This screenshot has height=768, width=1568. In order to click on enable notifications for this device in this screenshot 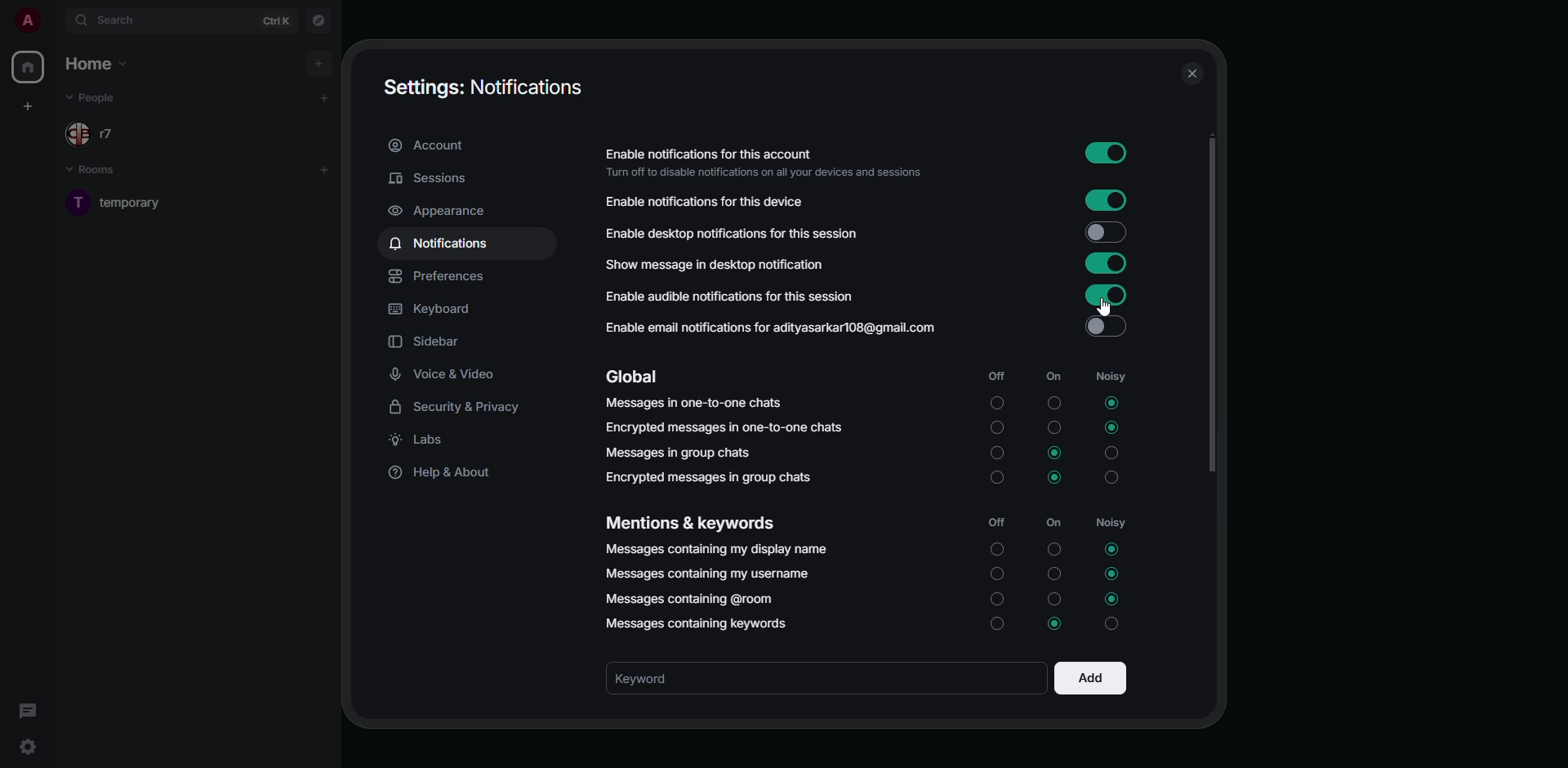, I will do `click(704, 201)`.